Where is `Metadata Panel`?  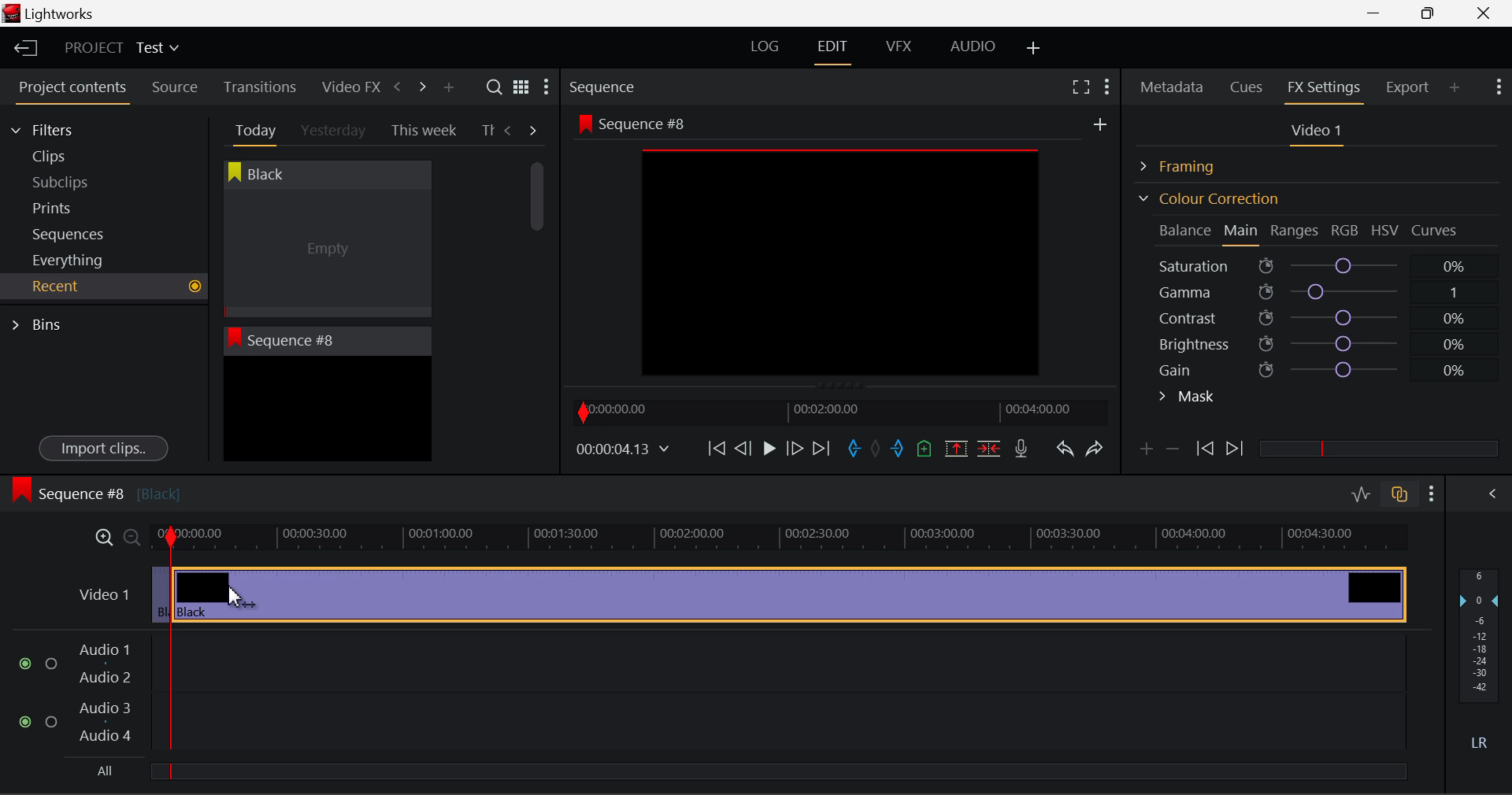
Metadata Panel is located at coordinates (1173, 84).